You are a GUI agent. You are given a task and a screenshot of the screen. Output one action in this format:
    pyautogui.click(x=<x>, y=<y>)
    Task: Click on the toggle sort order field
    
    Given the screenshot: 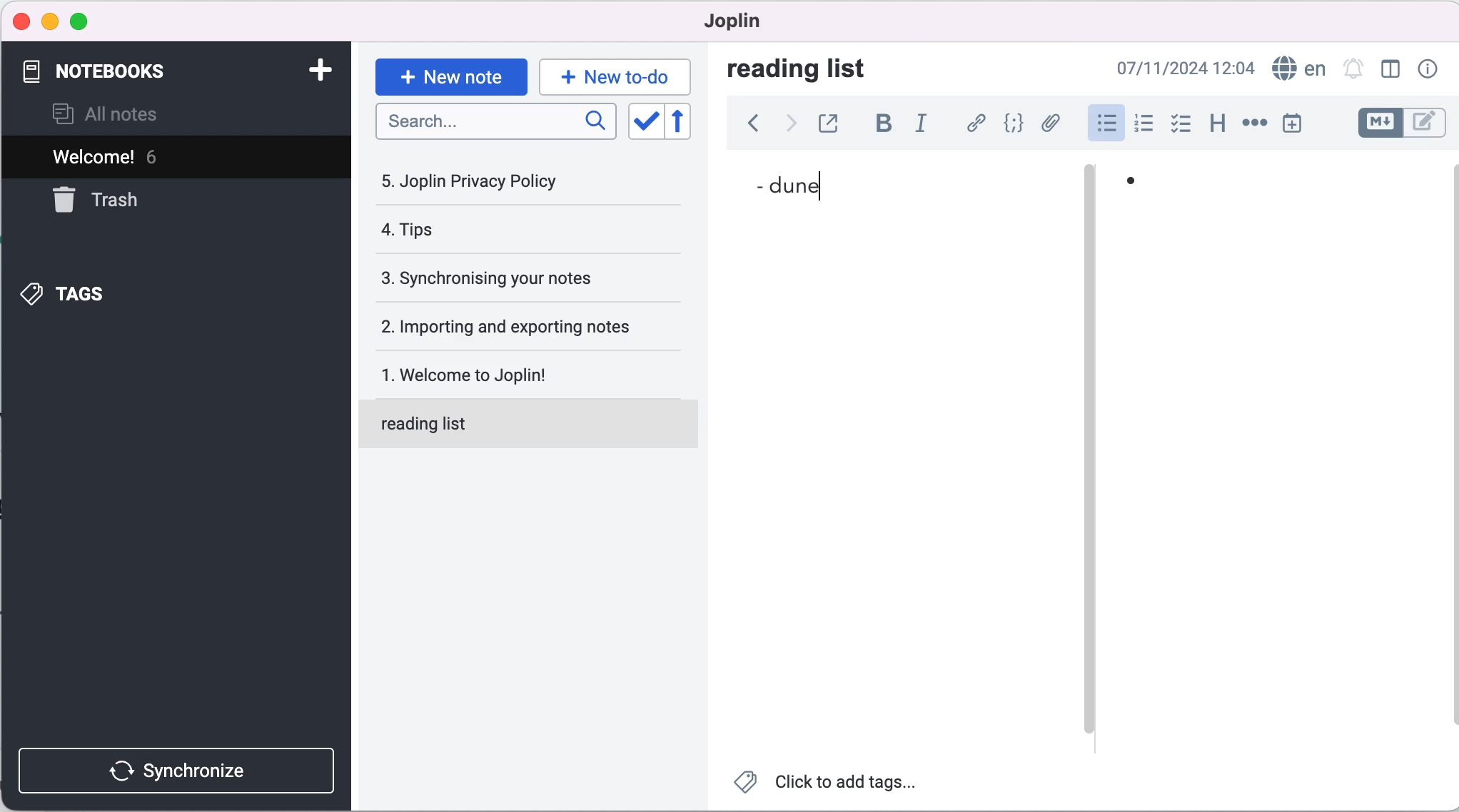 What is the action you would take?
    pyautogui.click(x=646, y=123)
    